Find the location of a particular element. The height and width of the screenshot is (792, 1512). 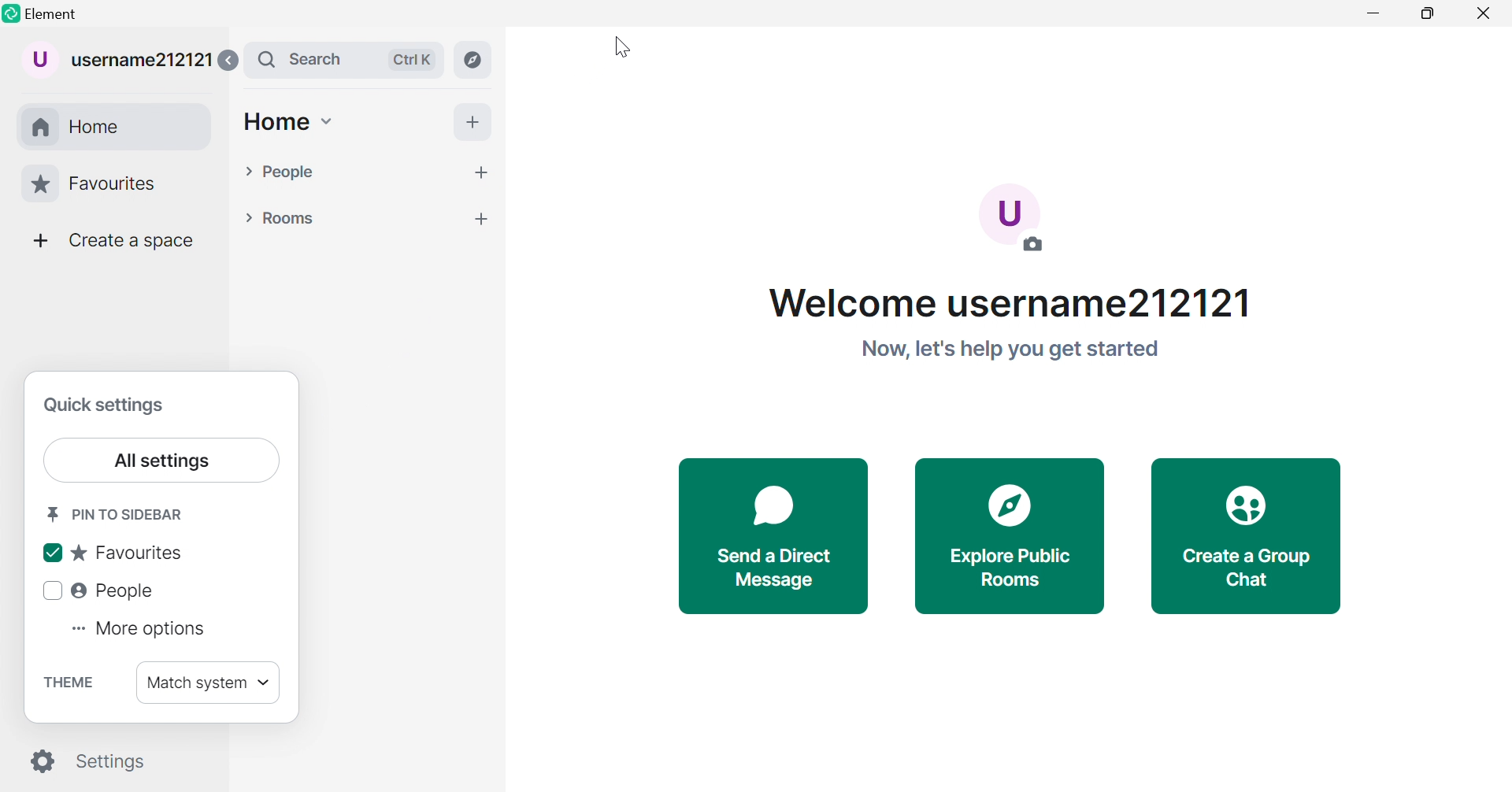

Minimize is located at coordinates (1377, 14).